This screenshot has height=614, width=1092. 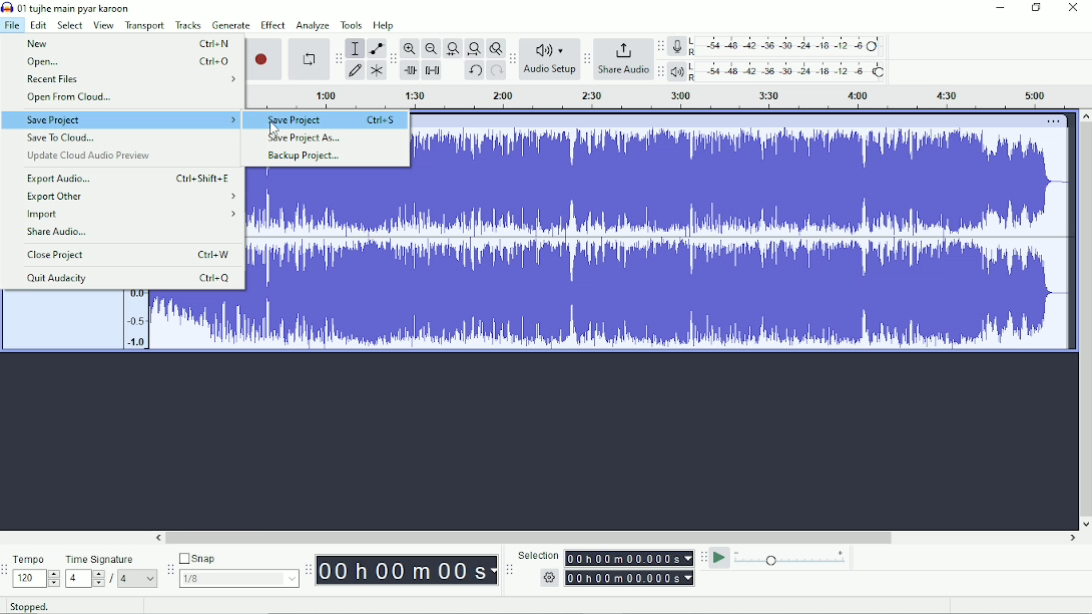 I want to click on Share Audio, so click(x=65, y=232).